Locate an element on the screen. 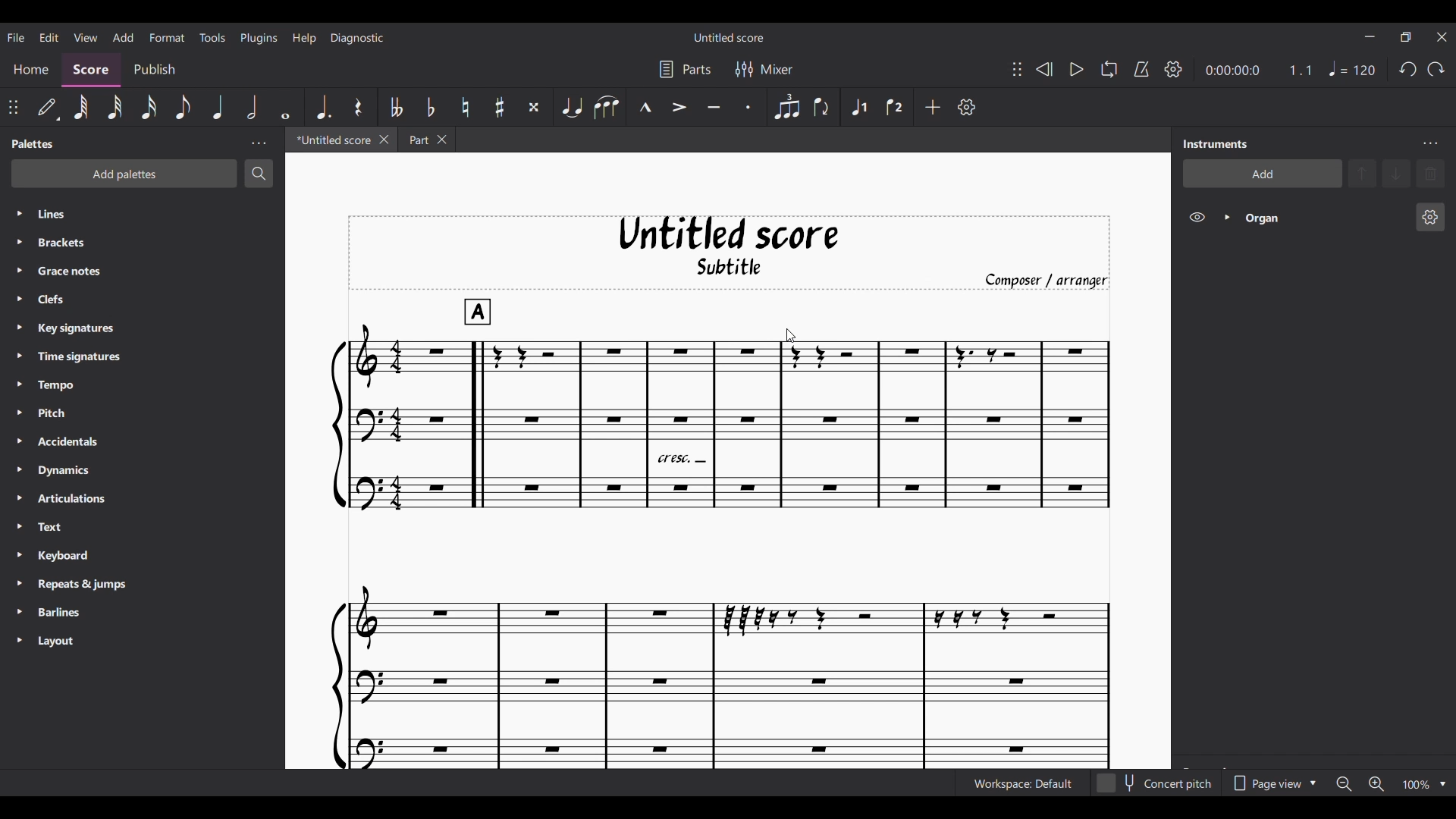  Change position of toolbar attached is located at coordinates (14, 108).